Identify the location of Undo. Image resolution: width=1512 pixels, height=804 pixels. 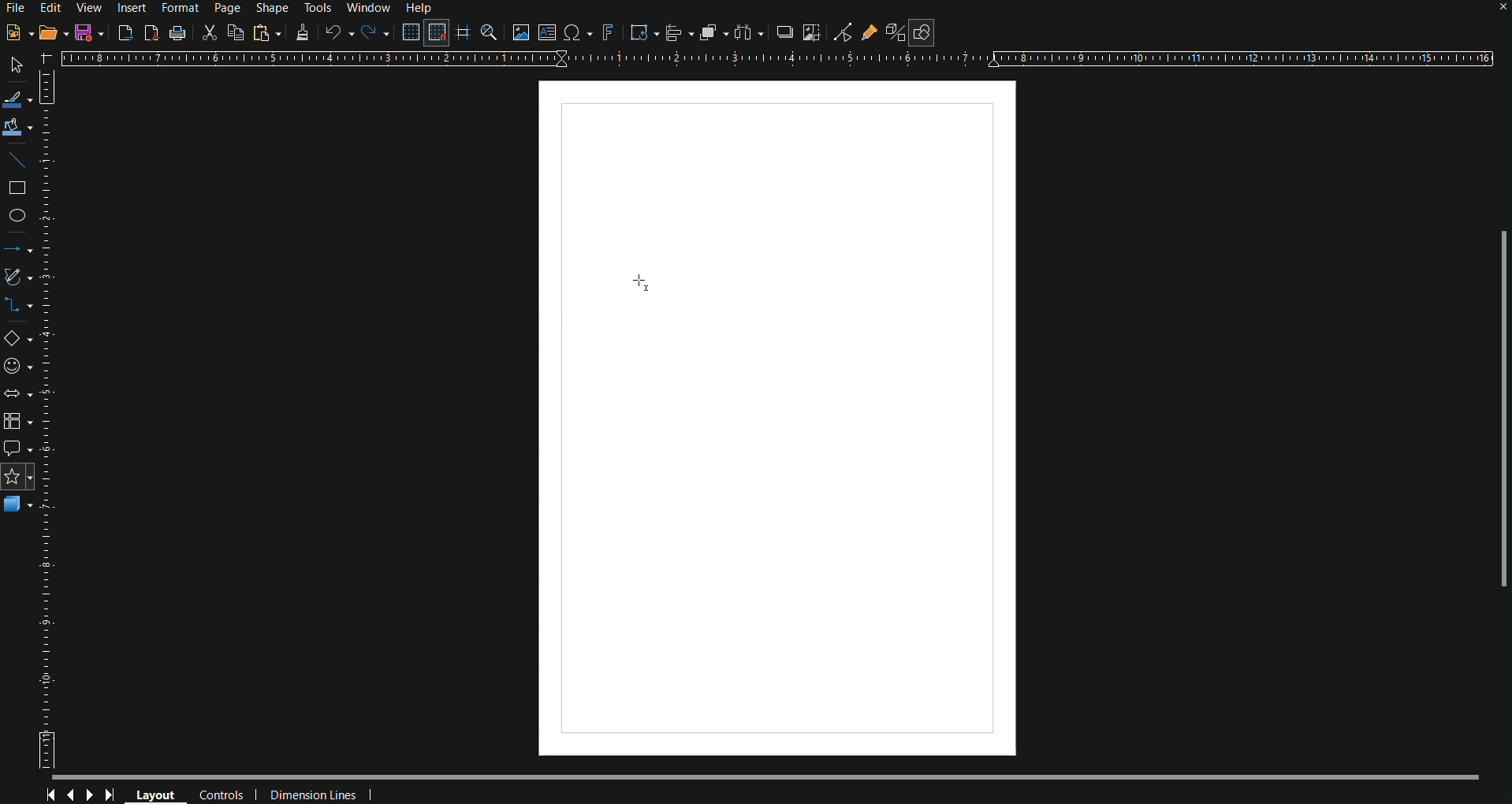
(337, 34).